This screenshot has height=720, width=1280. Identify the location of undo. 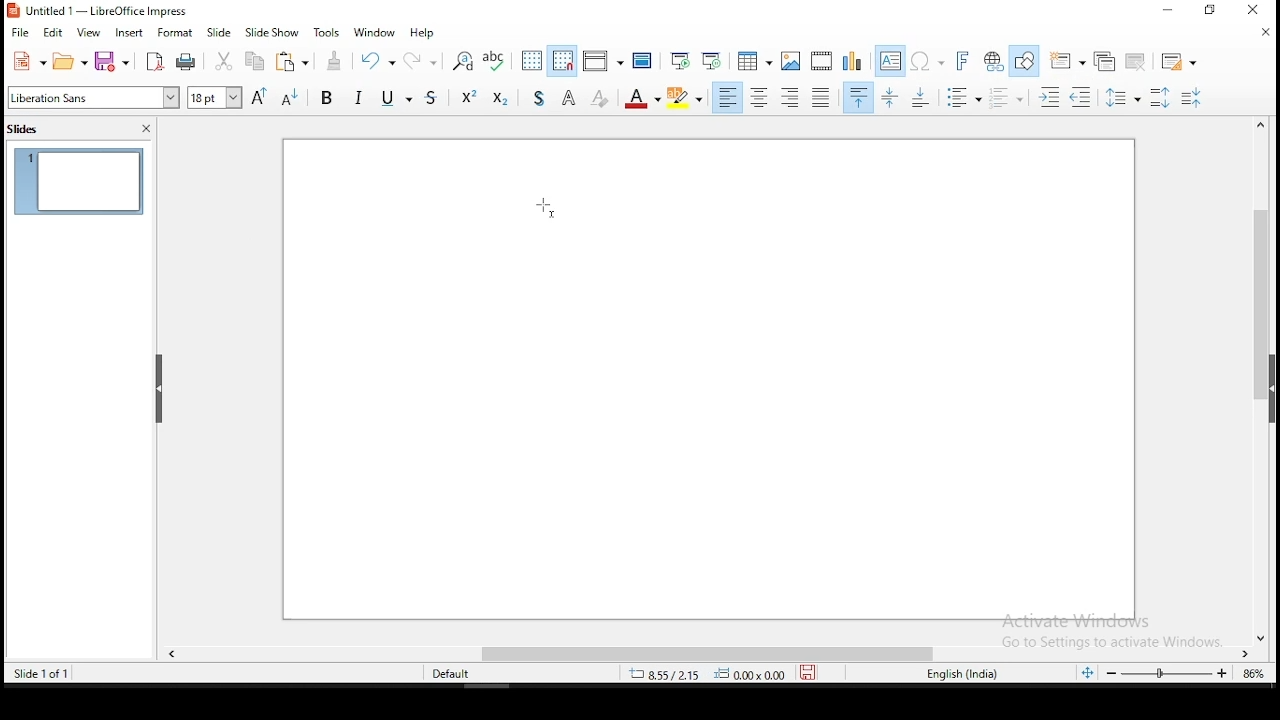
(376, 60).